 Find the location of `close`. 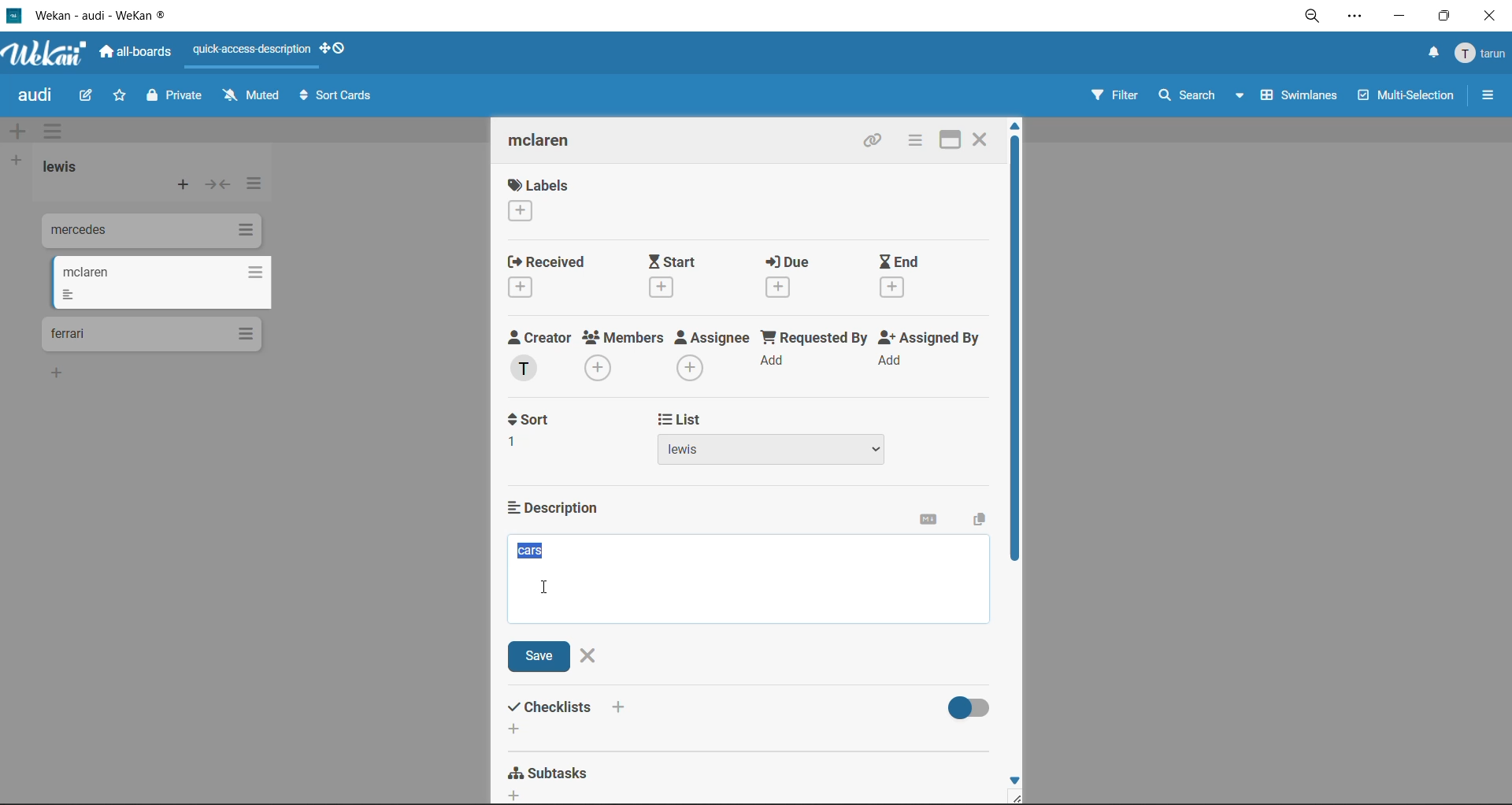

close is located at coordinates (1494, 16).